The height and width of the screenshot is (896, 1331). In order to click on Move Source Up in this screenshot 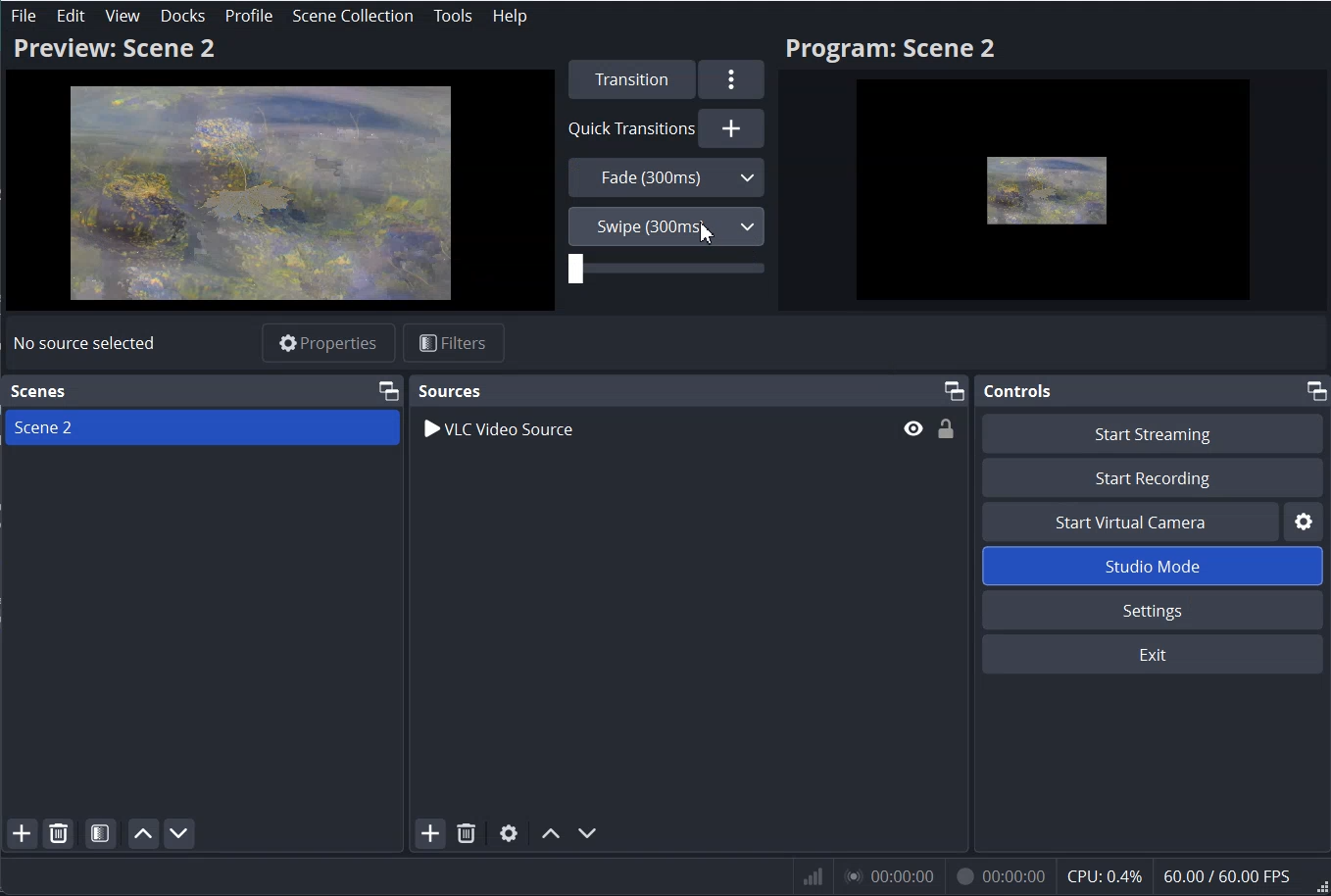, I will do `click(548, 832)`.